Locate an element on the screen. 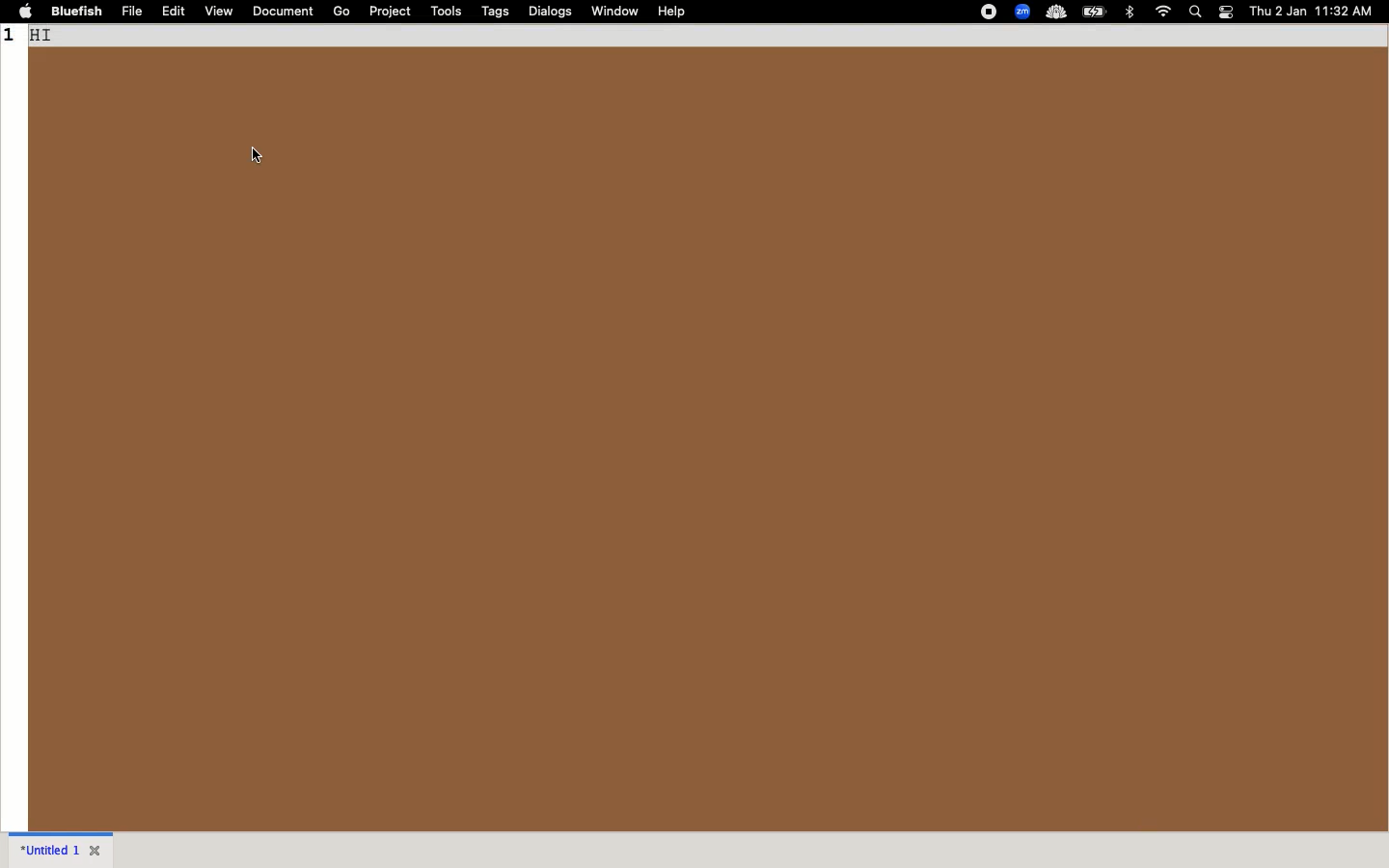 The width and height of the screenshot is (1389, 868). dialogs is located at coordinates (551, 14).